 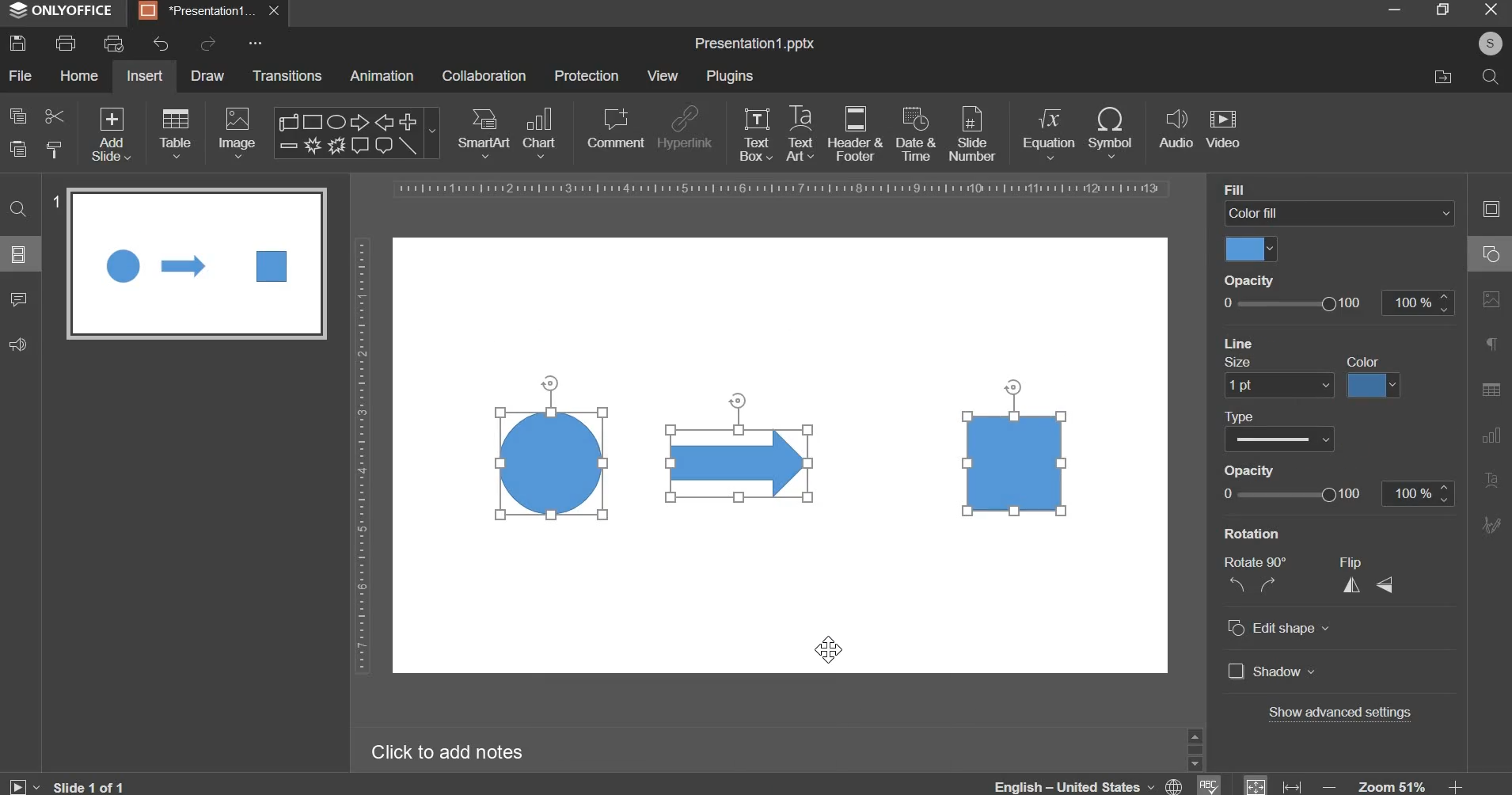 I want to click on home, so click(x=78, y=74).